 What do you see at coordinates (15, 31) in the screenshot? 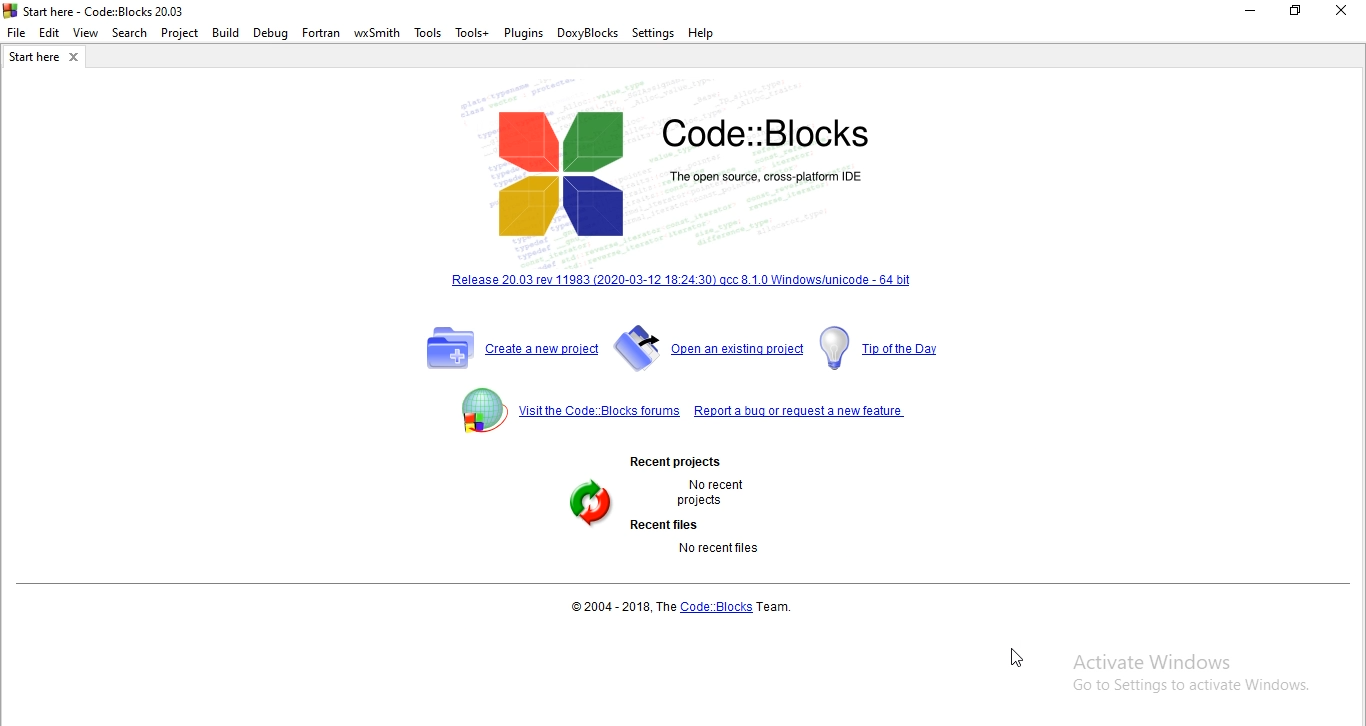
I see `file` at bounding box center [15, 31].